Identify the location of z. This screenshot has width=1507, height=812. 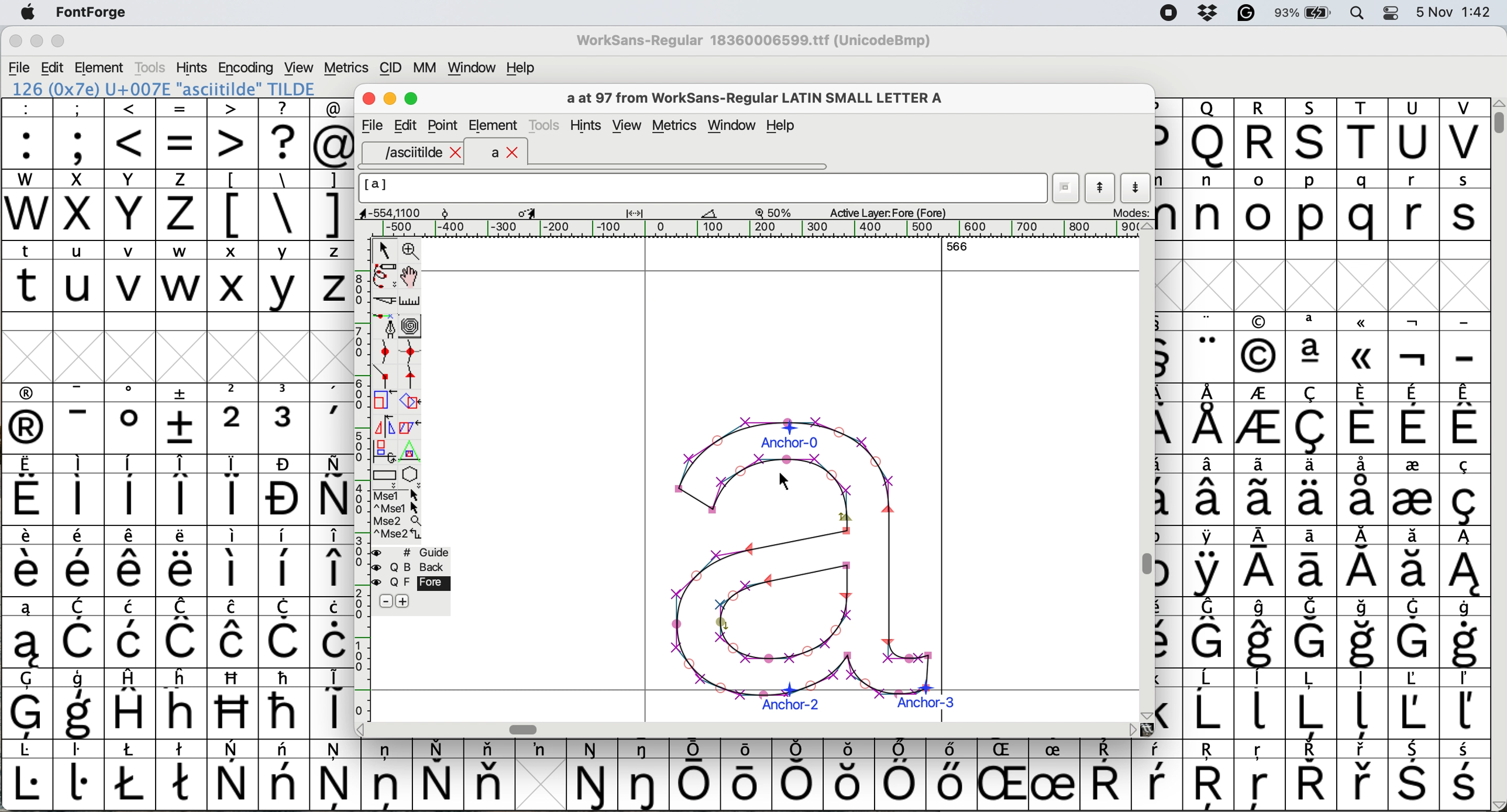
(181, 204).